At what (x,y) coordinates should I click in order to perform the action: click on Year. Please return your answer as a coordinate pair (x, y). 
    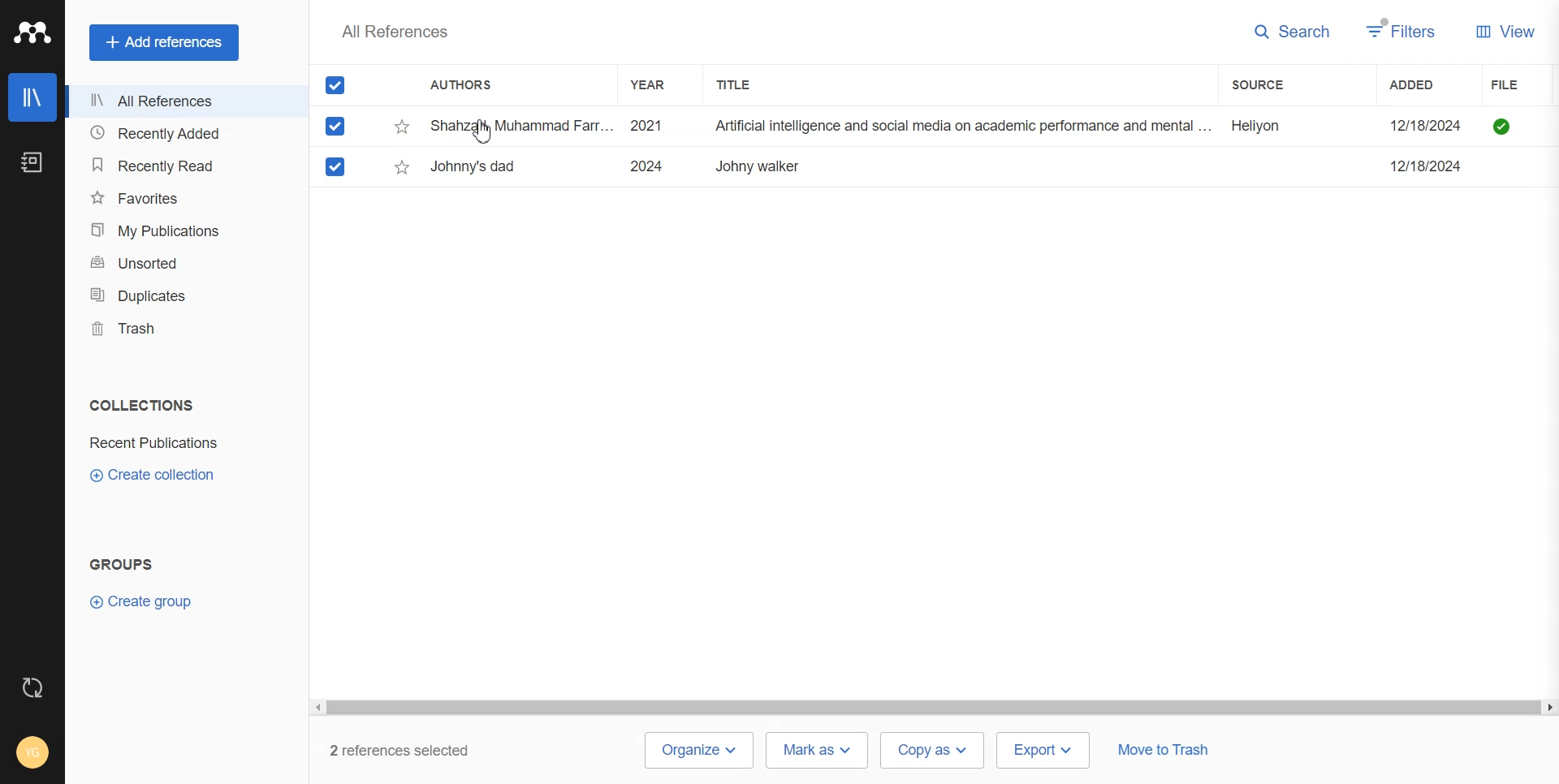
    Looking at the image, I should click on (655, 84).